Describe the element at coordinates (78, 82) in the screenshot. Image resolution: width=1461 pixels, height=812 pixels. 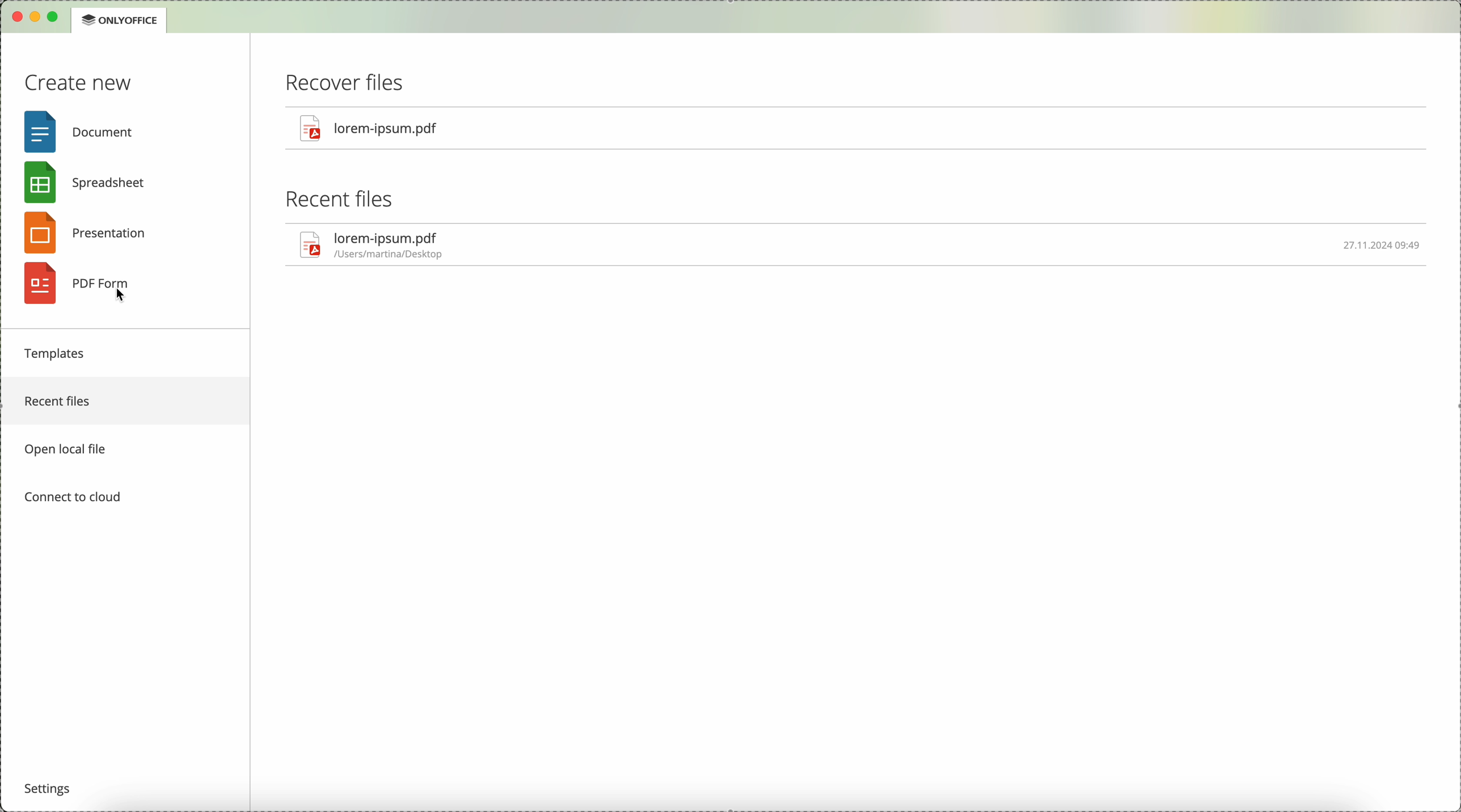
I see `create new` at that location.